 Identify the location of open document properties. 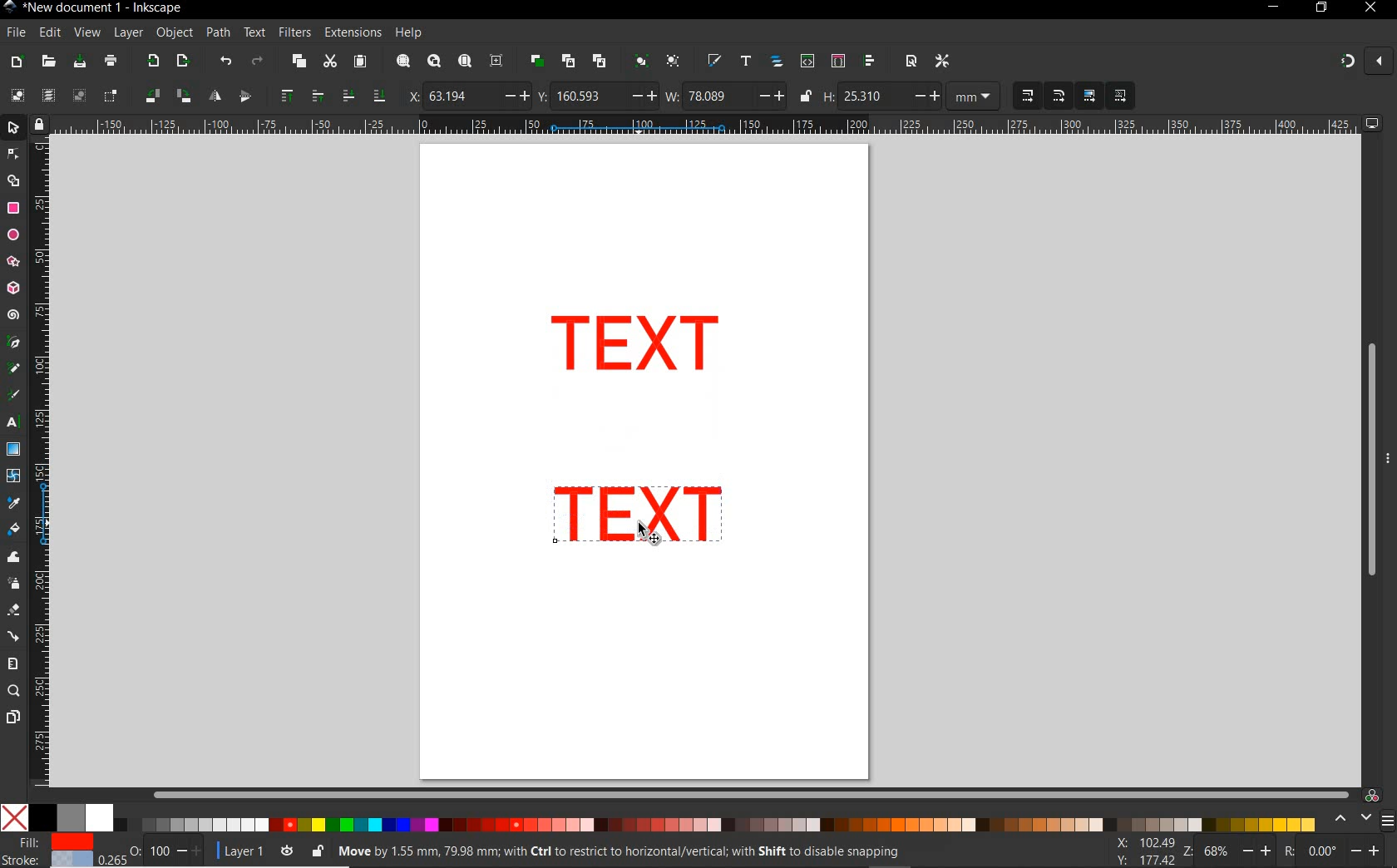
(911, 61).